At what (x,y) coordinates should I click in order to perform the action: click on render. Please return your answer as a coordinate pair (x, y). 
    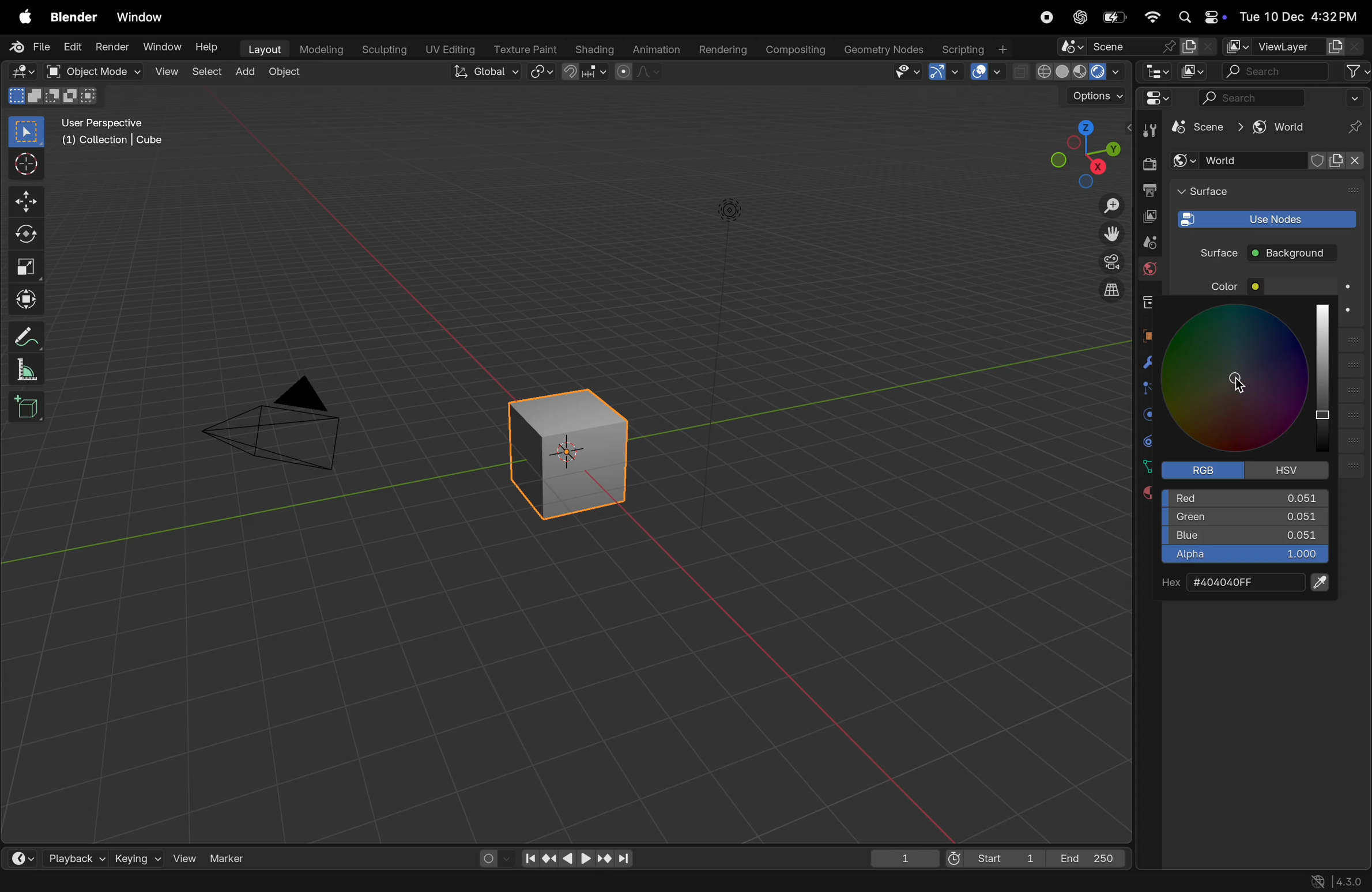
    Looking at the image, I should click on (1148, 164).